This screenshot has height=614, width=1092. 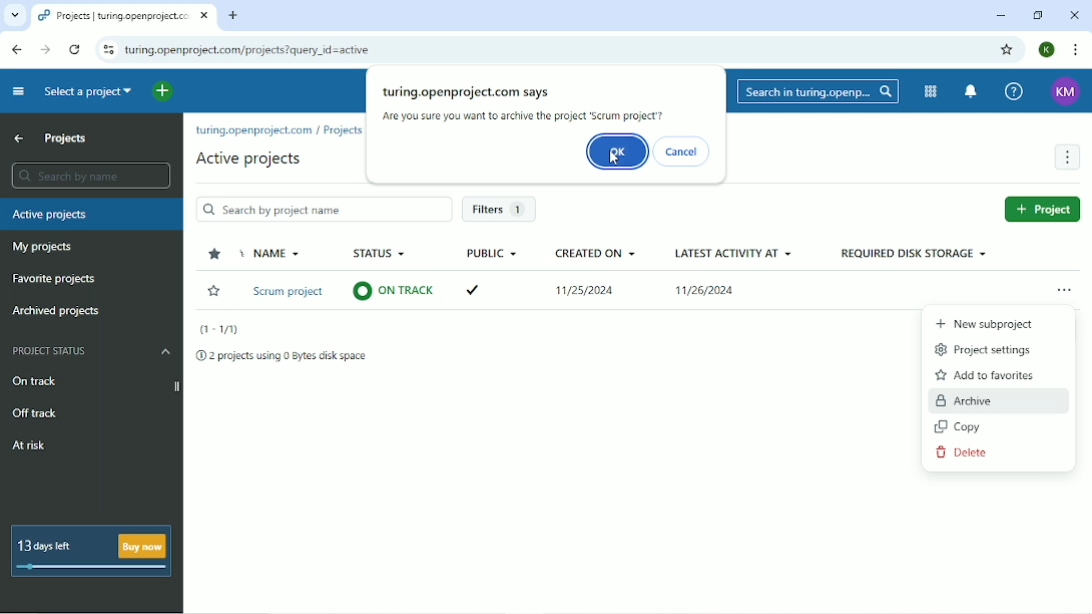 What do you see at coordinates (276, 254) in the screenshot?
I see `Name` at bounding box center [276, 254].